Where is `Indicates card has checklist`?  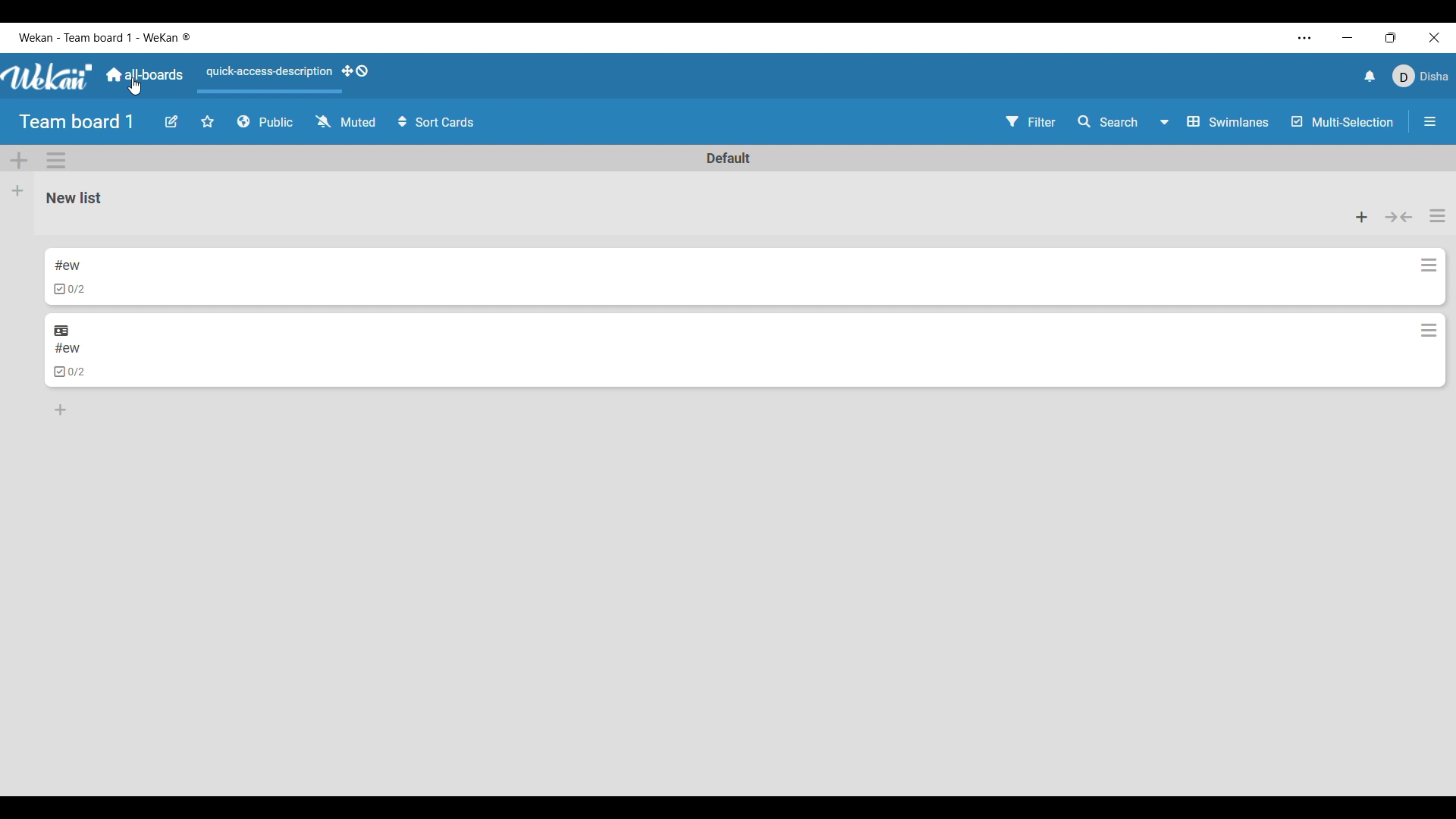
Indicates card has checklist is located at coordinates (69, 372).